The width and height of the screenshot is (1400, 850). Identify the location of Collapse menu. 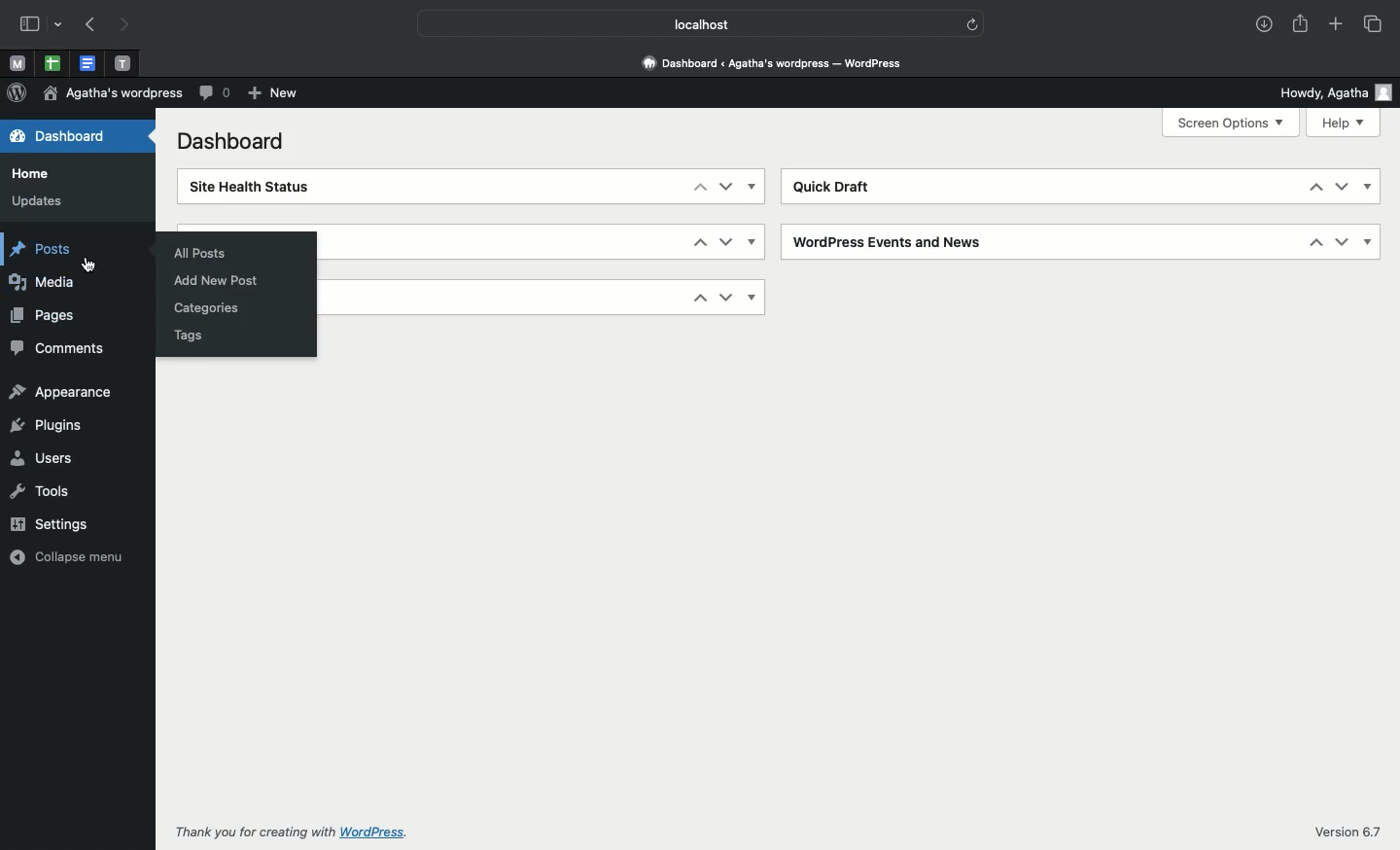
(68, 555).